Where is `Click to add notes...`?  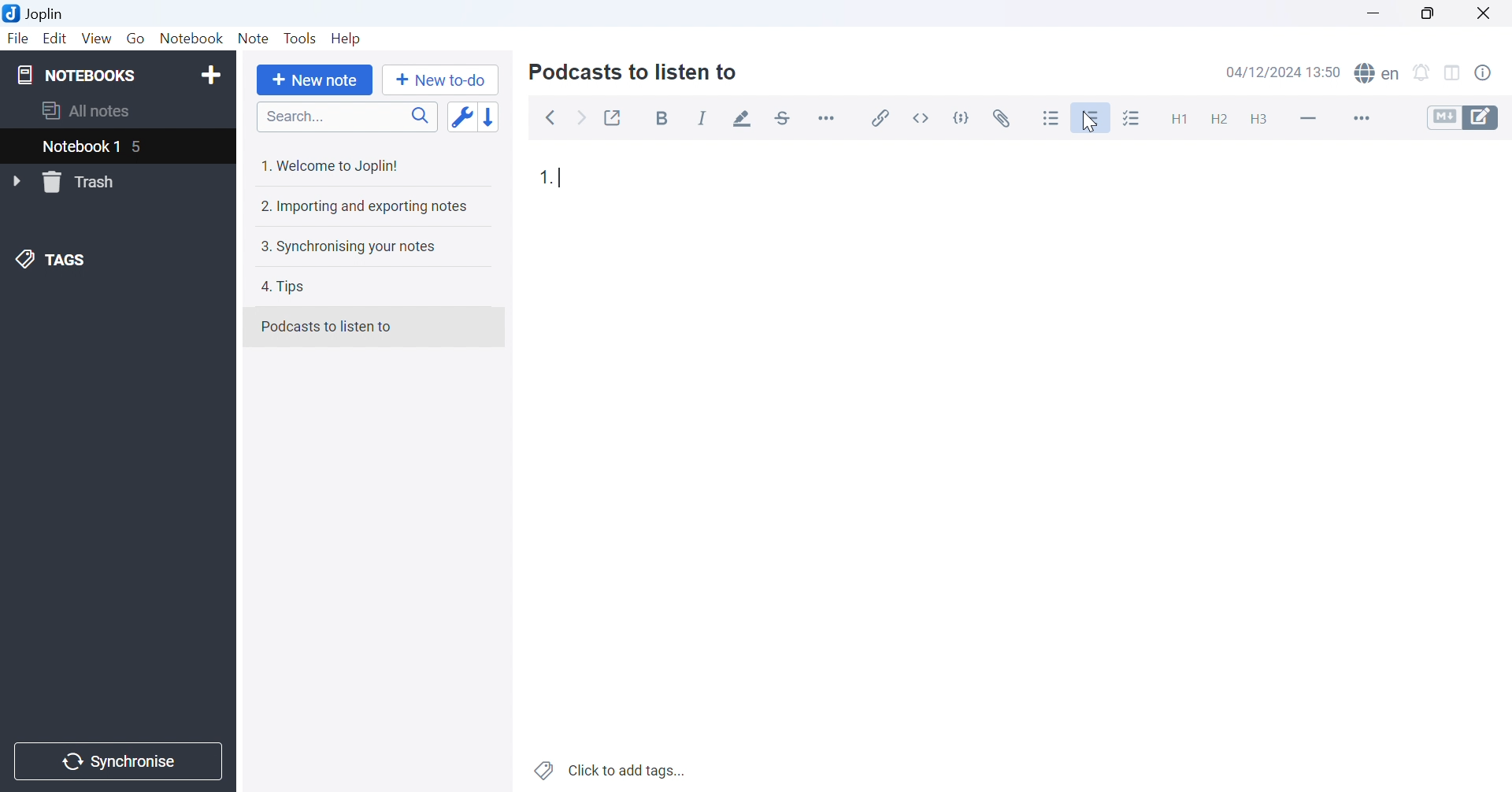 Click to add notes... is located at coordinates (612, 768).